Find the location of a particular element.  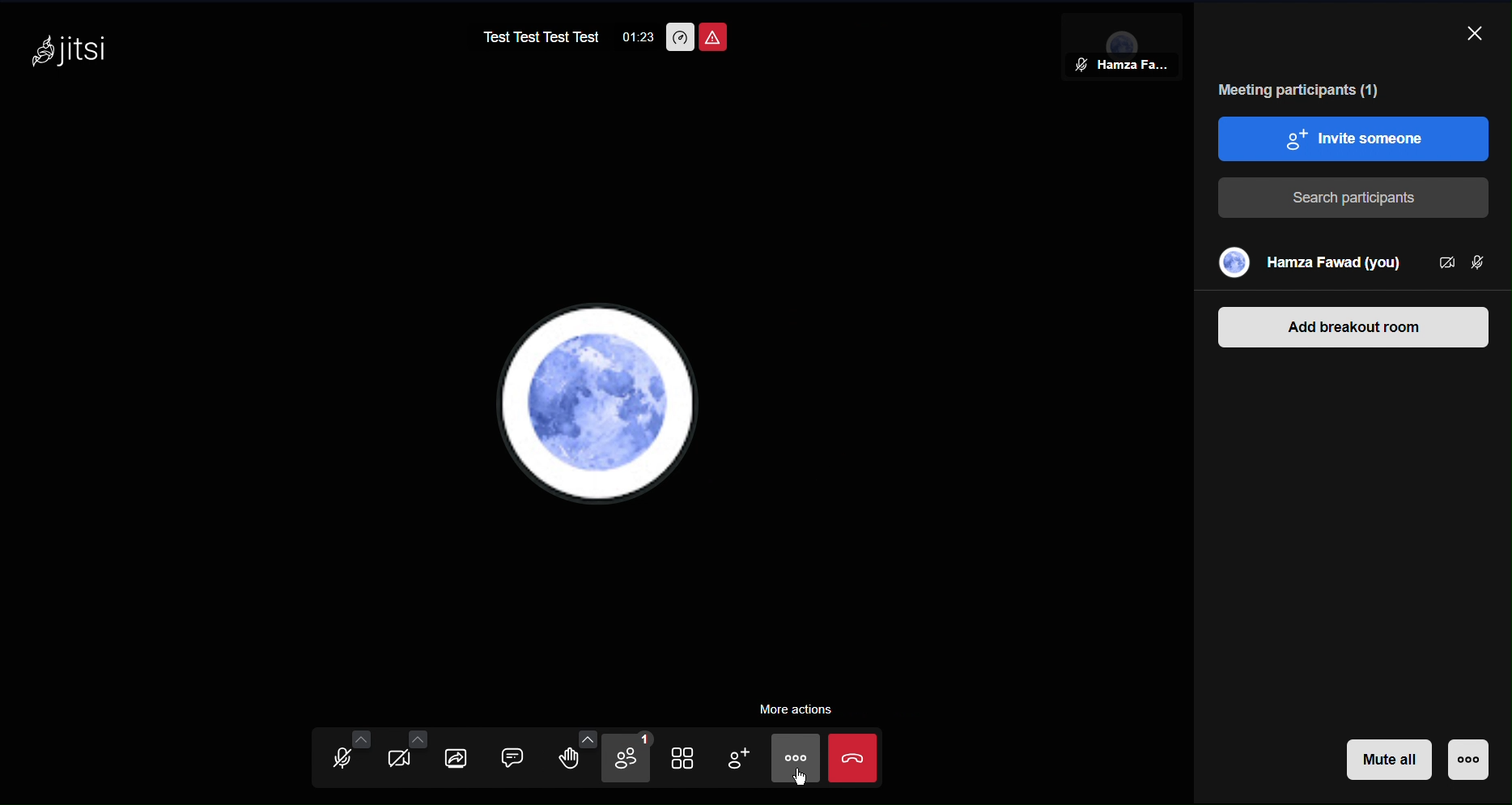

Jitsi is located at coordinates (70, 54).